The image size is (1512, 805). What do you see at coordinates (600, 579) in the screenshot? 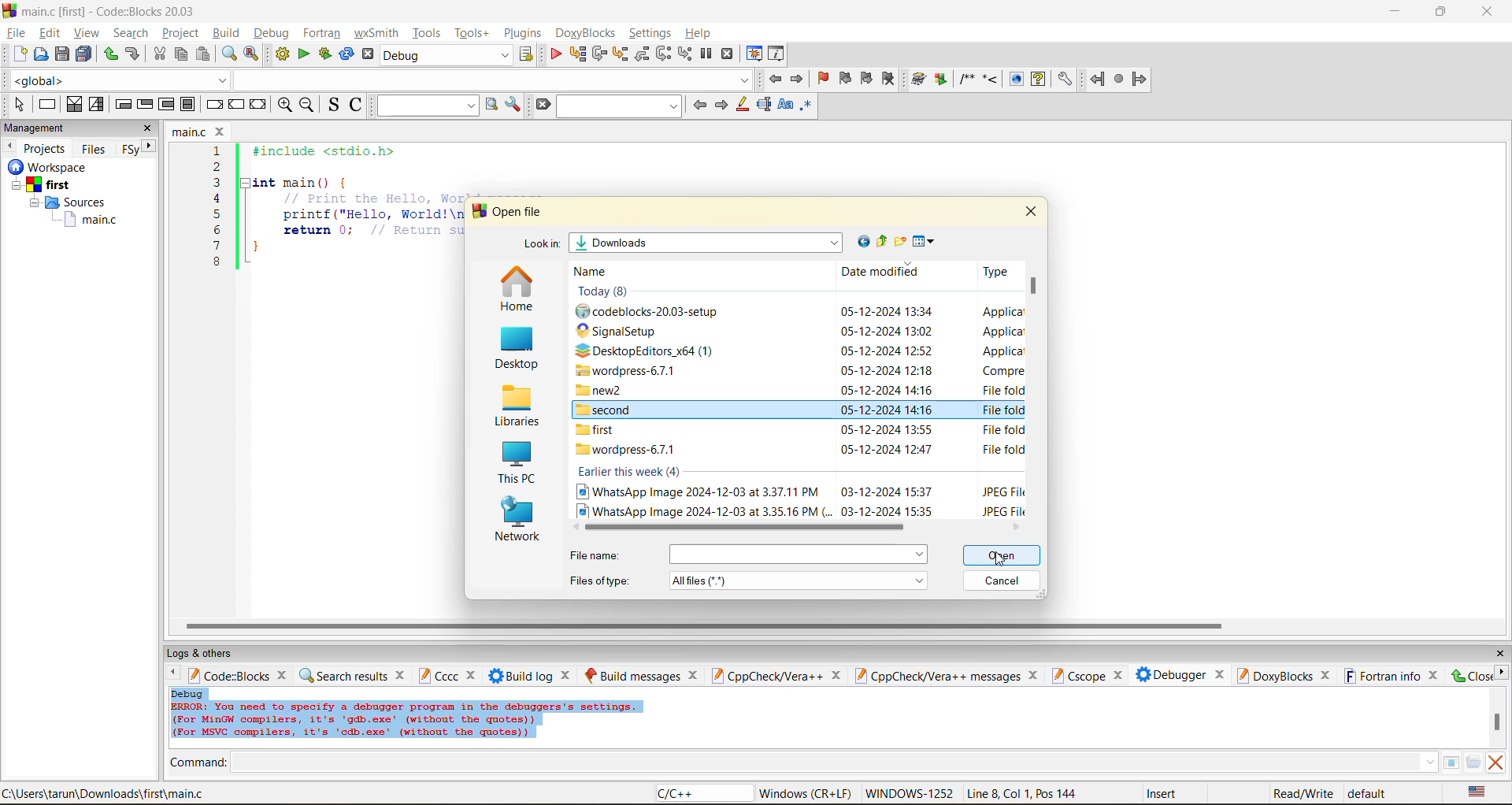
I see `file type` at bounding box center [600, 579].